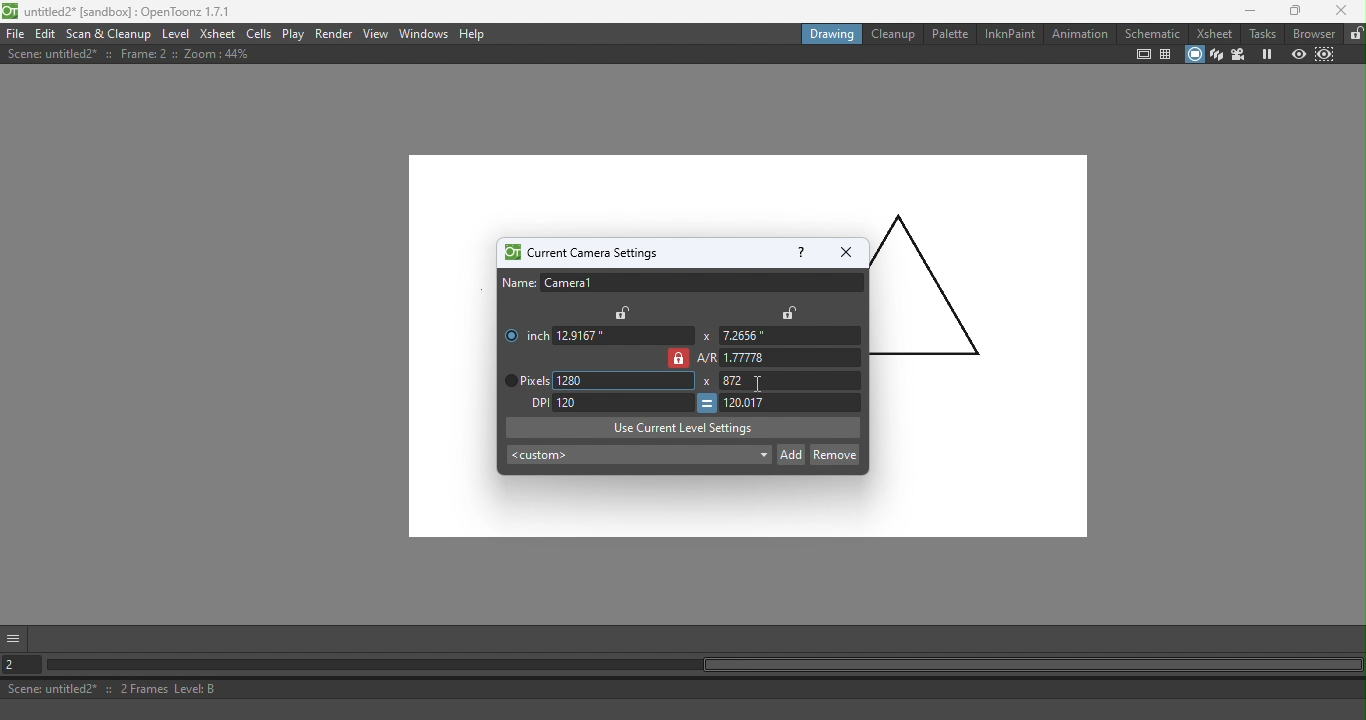  Describe the element at coordinates (1151, 31) in the screenshot. I see `Shematic` at that location.